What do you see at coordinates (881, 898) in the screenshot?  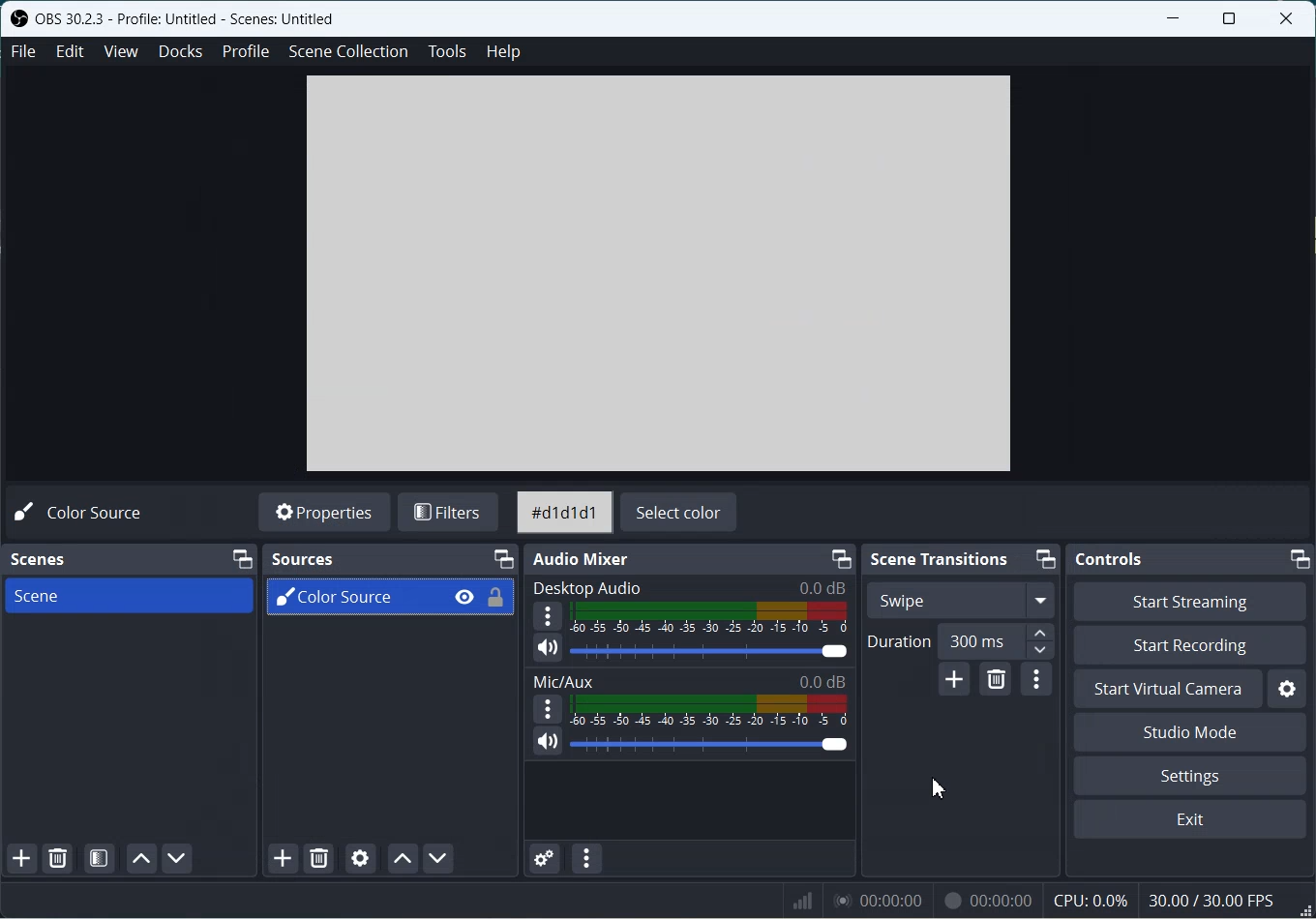 I see `00:00:00` at bounding box center [881, 898].